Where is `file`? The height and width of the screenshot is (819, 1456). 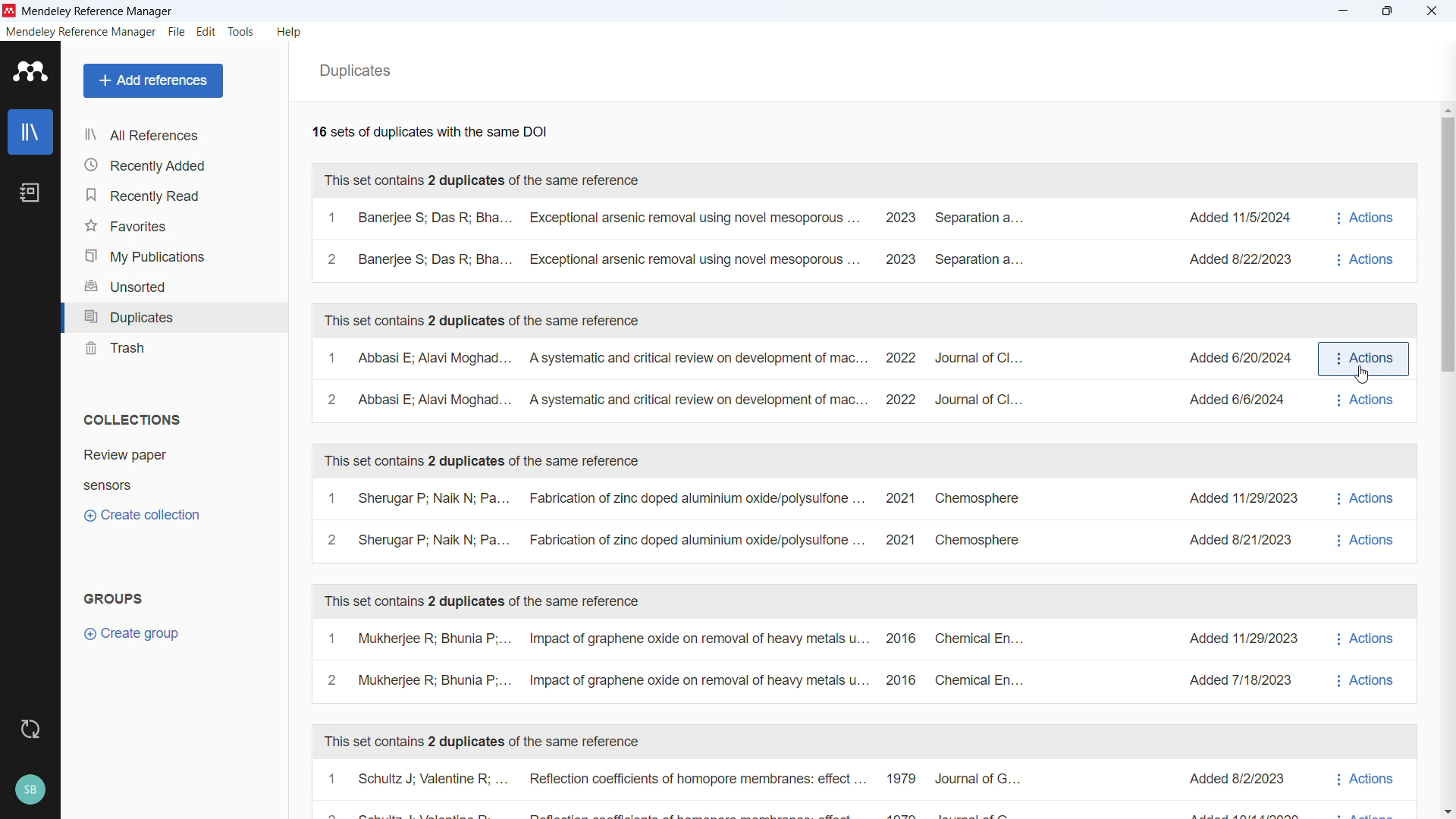
file is located at coordinates (176, 32).